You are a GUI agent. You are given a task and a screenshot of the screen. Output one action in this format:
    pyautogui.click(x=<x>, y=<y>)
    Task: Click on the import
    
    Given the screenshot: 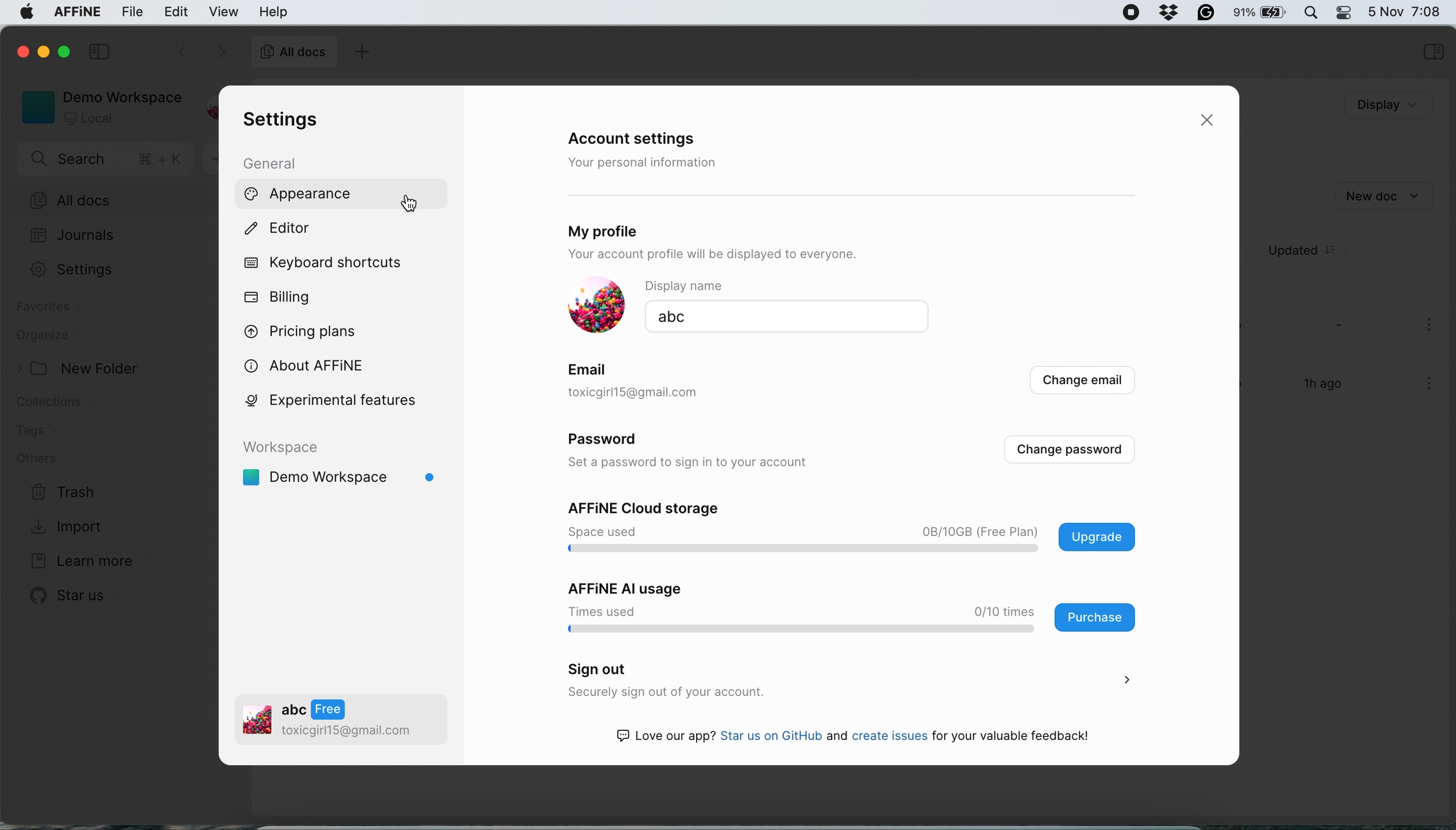 What is the action you would take?
    pyautogui.click(x=76, y=528)
    